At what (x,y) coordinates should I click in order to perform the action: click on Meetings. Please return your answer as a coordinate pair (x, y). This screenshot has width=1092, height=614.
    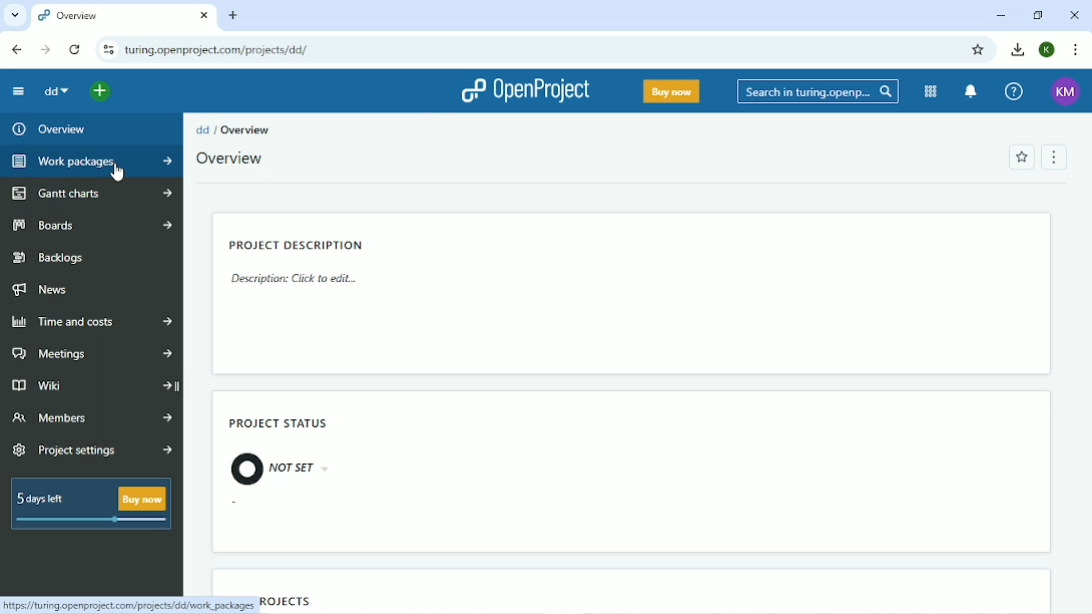
    Looking at the image, I should click on (91, 354).